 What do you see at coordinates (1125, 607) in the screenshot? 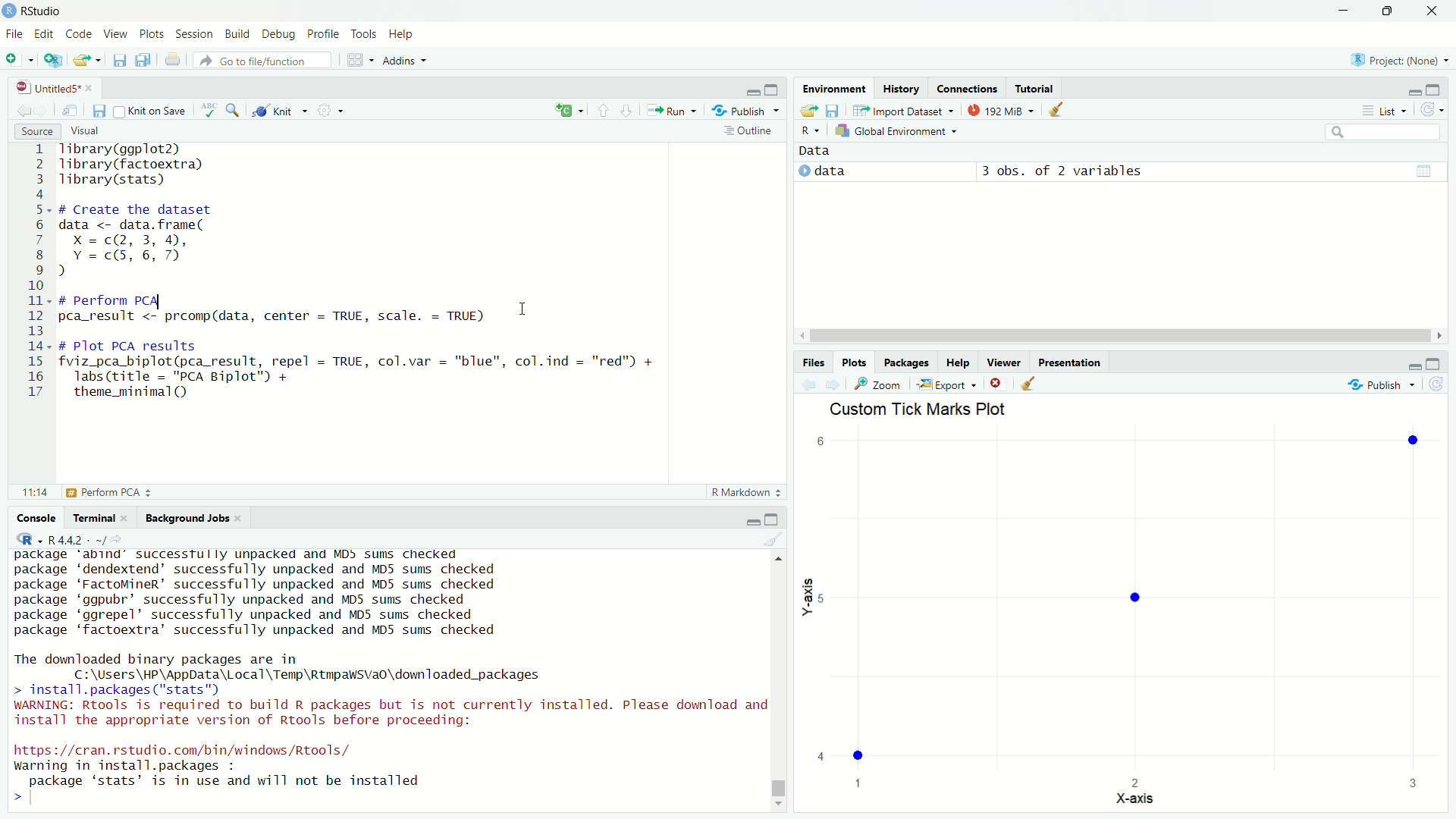
I see `custom tick marks plot` at bounding box center [1125, 607].